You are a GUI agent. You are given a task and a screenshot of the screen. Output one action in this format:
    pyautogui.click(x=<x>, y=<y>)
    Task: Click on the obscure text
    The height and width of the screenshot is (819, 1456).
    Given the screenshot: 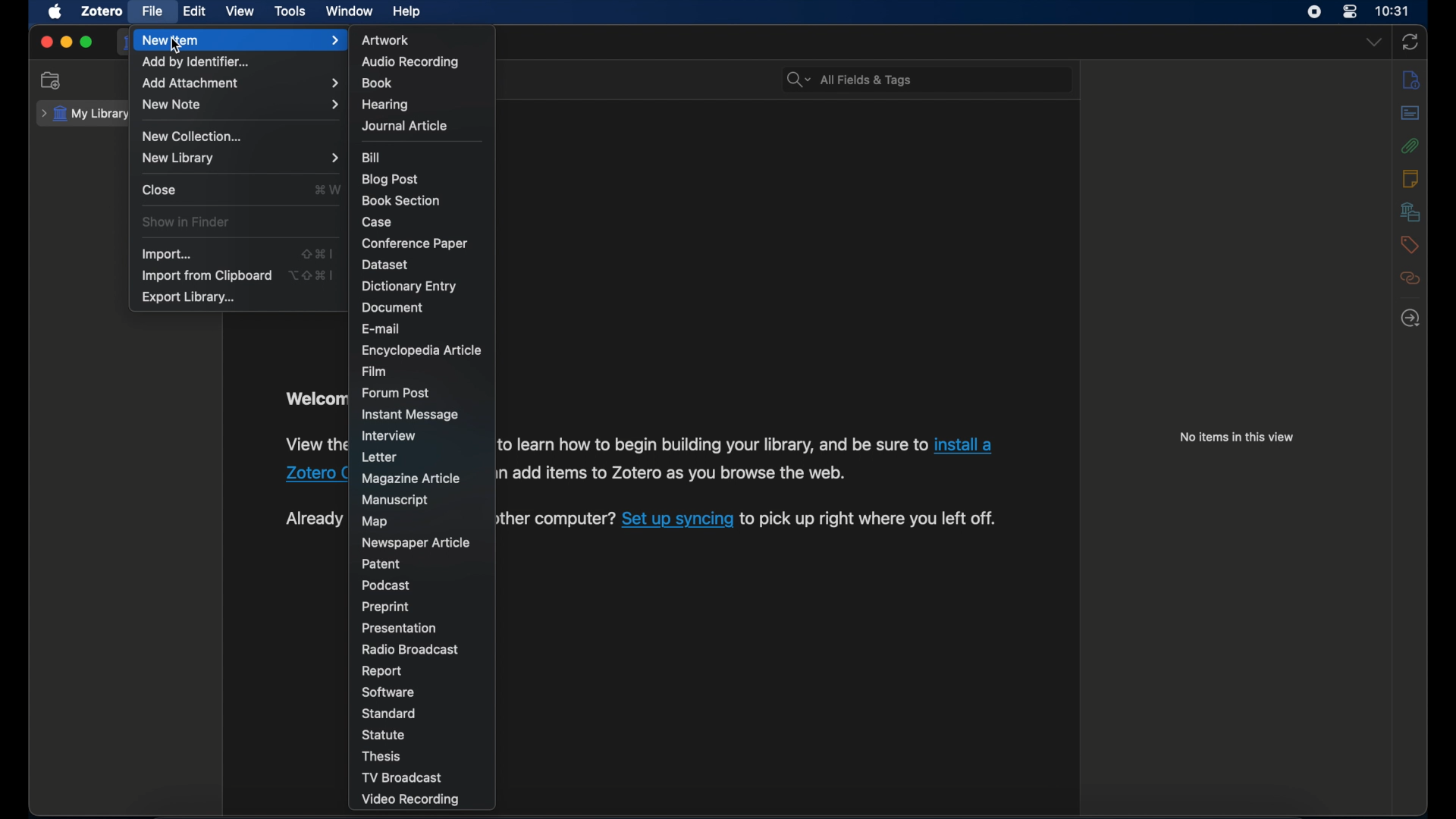 What is the action you would take?
    pyautogui.click(x=314, y=519)
    